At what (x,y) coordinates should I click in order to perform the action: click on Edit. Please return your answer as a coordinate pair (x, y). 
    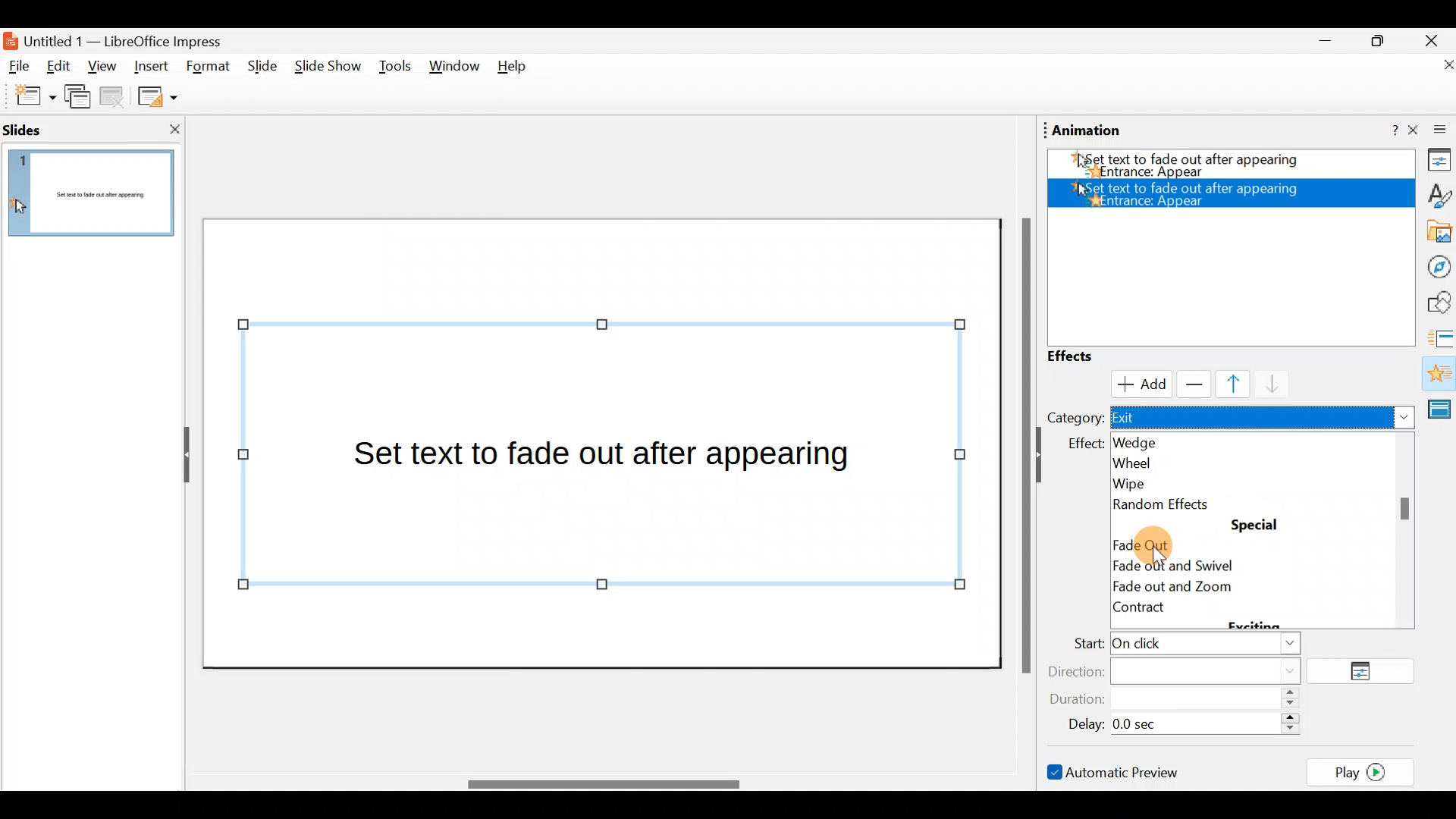
    Looking at the image, I should click on (64, 67).